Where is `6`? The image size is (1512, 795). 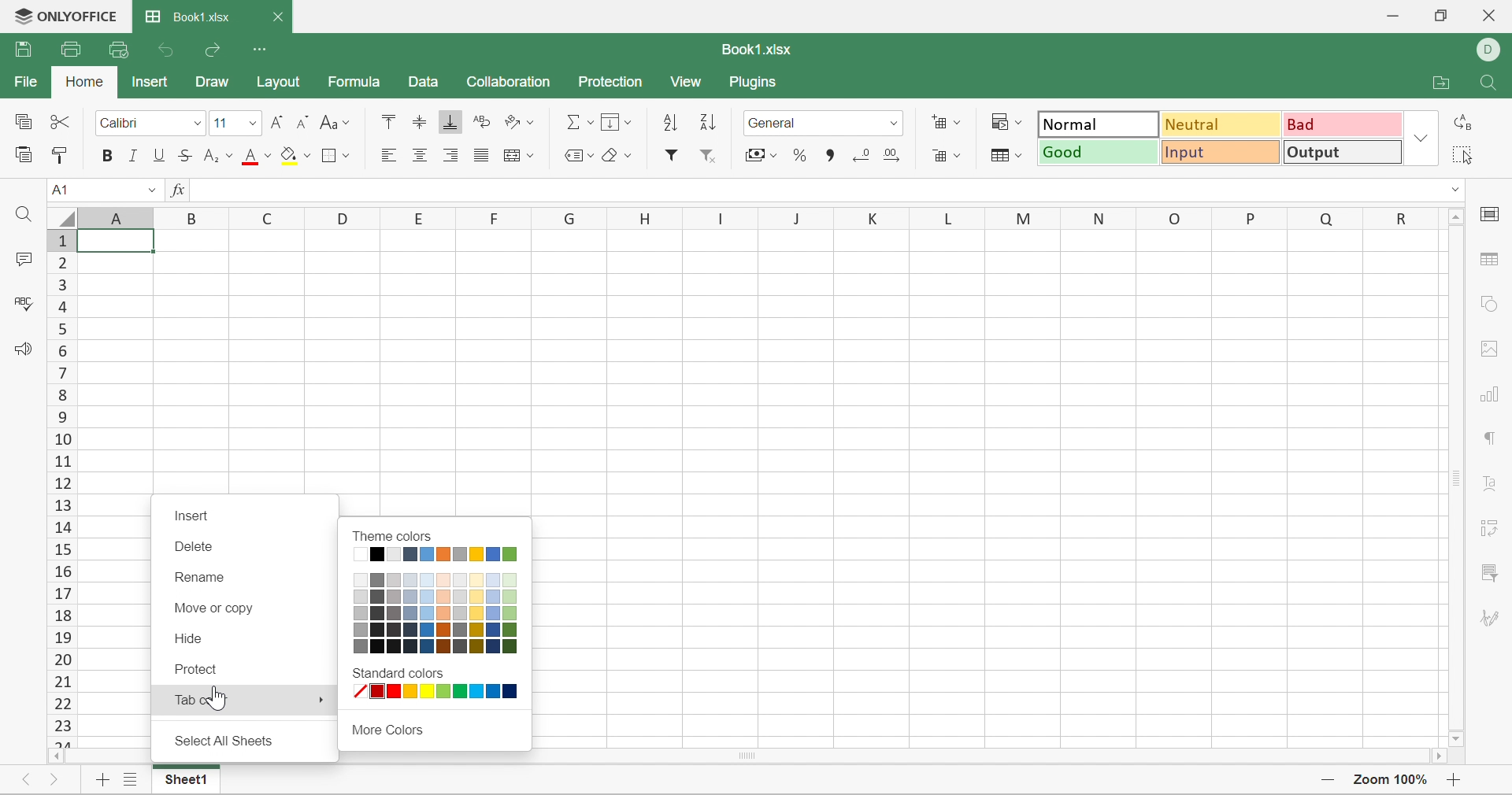
6 is located at coordinates (65, 349).